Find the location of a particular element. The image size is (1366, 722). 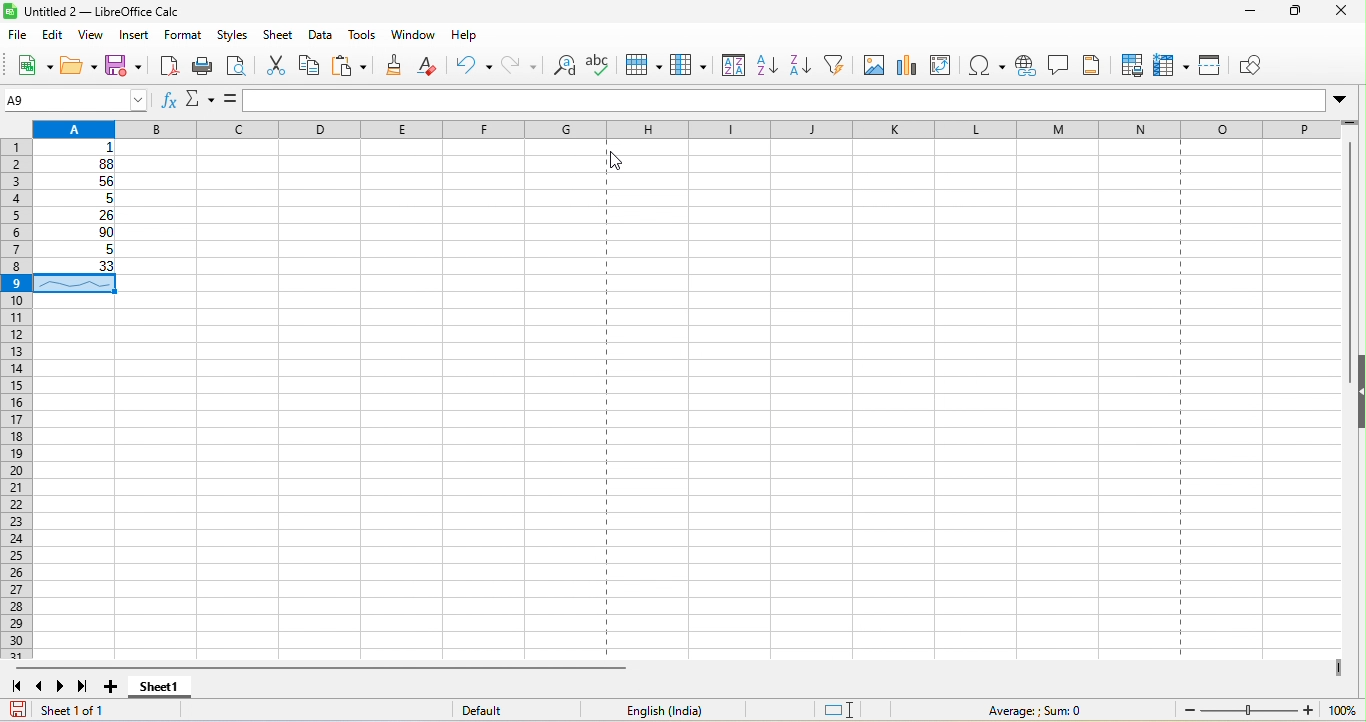

new is located at coordinates (28, 64).